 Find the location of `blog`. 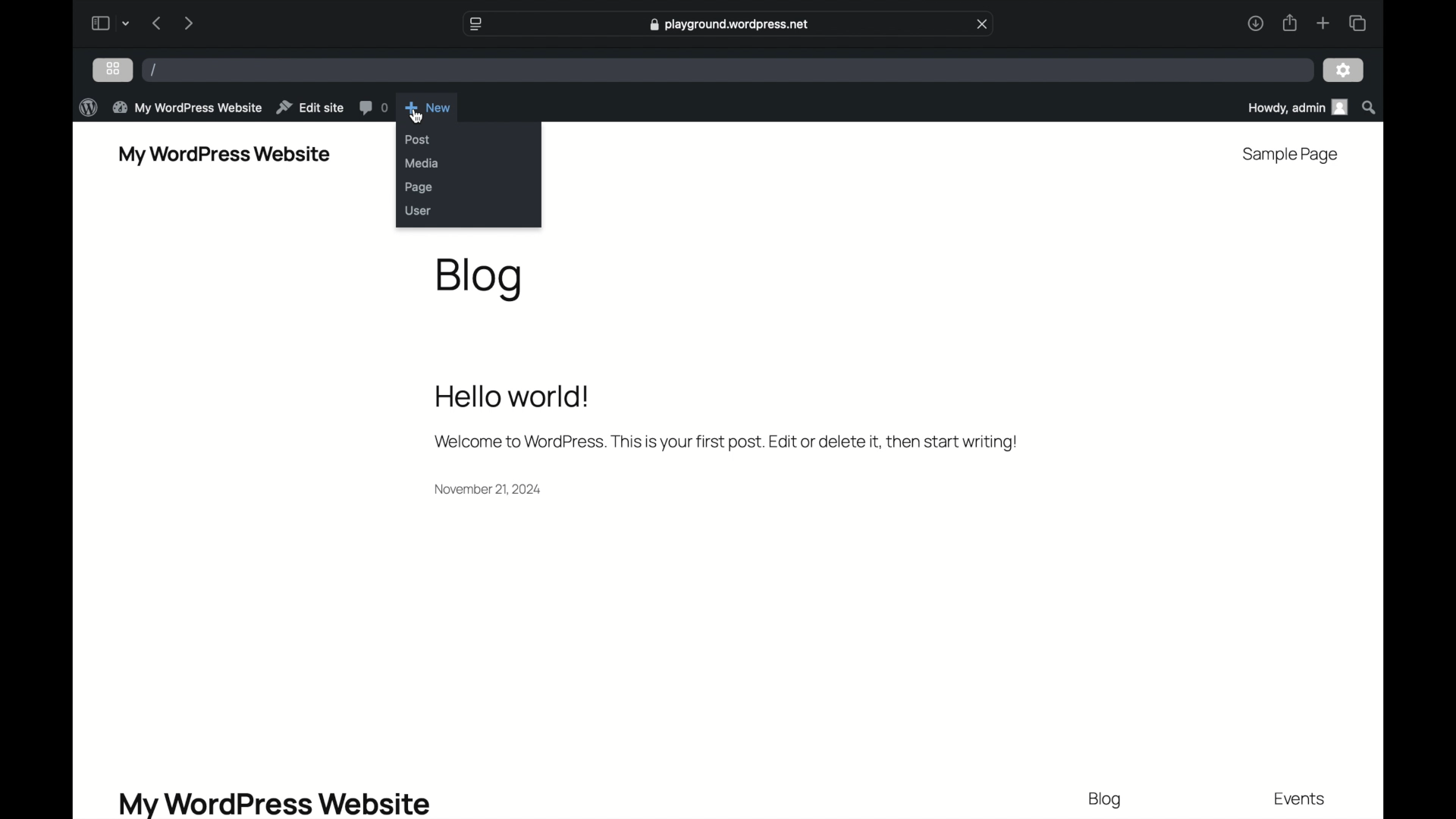

blog is located at coordinates (481, 278).